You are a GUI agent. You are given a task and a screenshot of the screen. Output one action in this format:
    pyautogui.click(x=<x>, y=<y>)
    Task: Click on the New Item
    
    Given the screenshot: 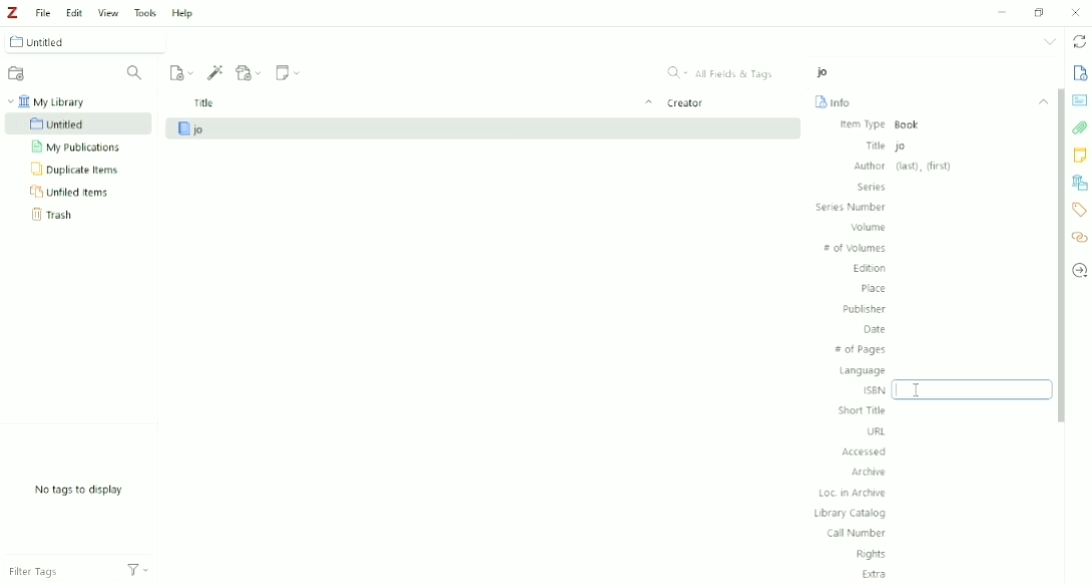 What is the action you would take?
    pyautogui.click(x=180, y=72)
    